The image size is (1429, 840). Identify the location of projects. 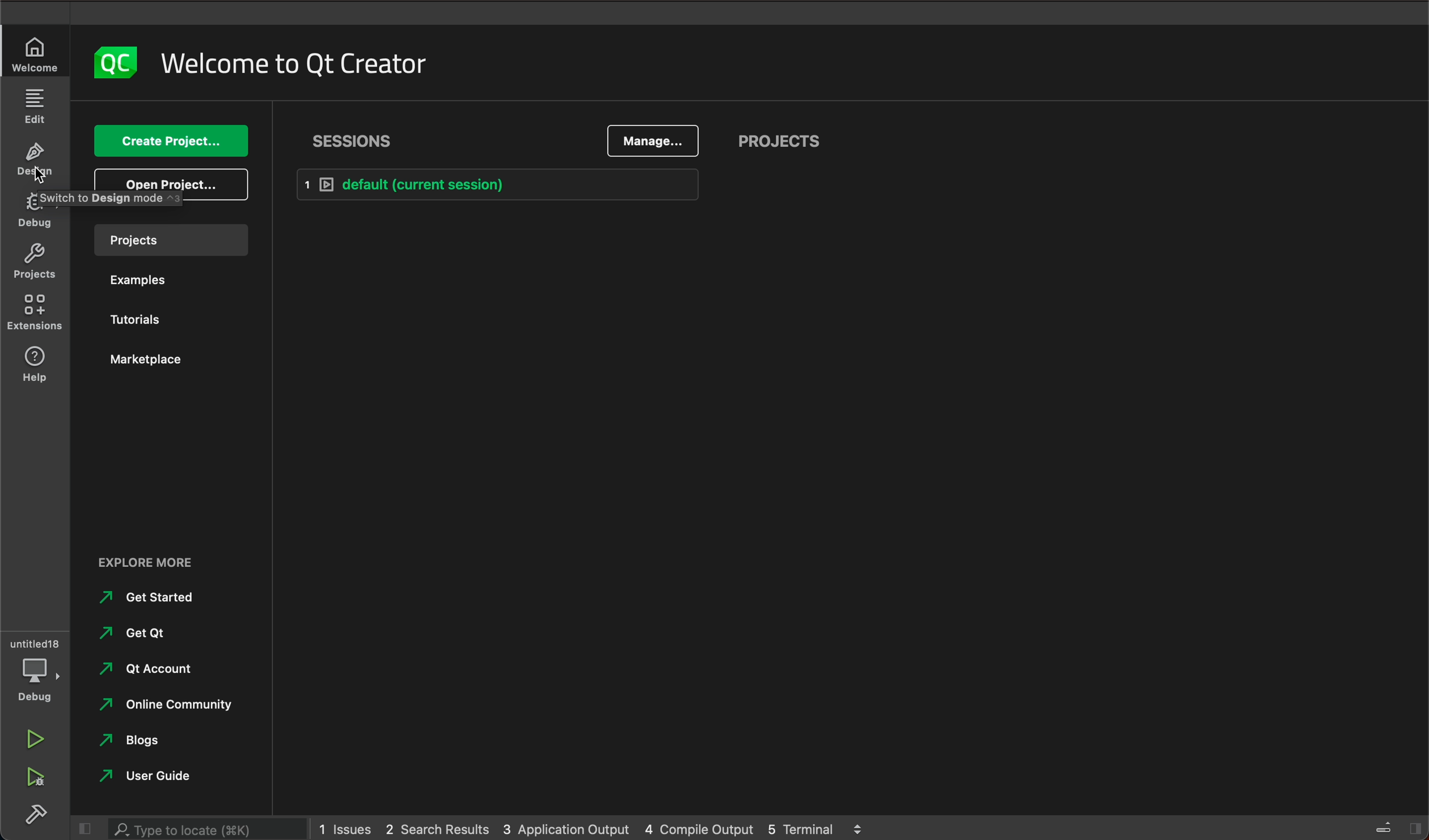
(787, 141).